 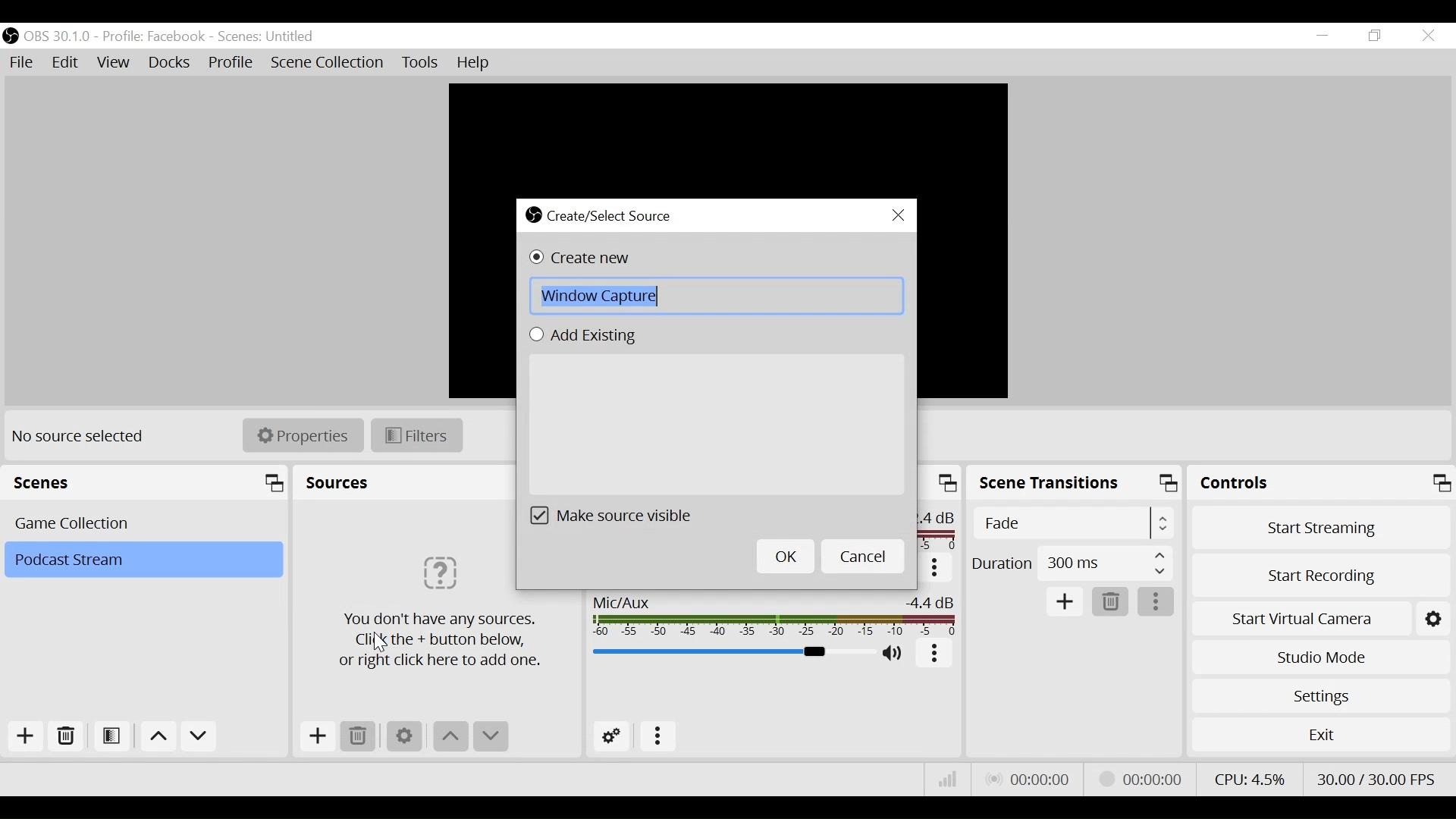 What do you see at coordinates (143, 524) in the screenshot?
I see `Scene` at bounding box center [143, 524].